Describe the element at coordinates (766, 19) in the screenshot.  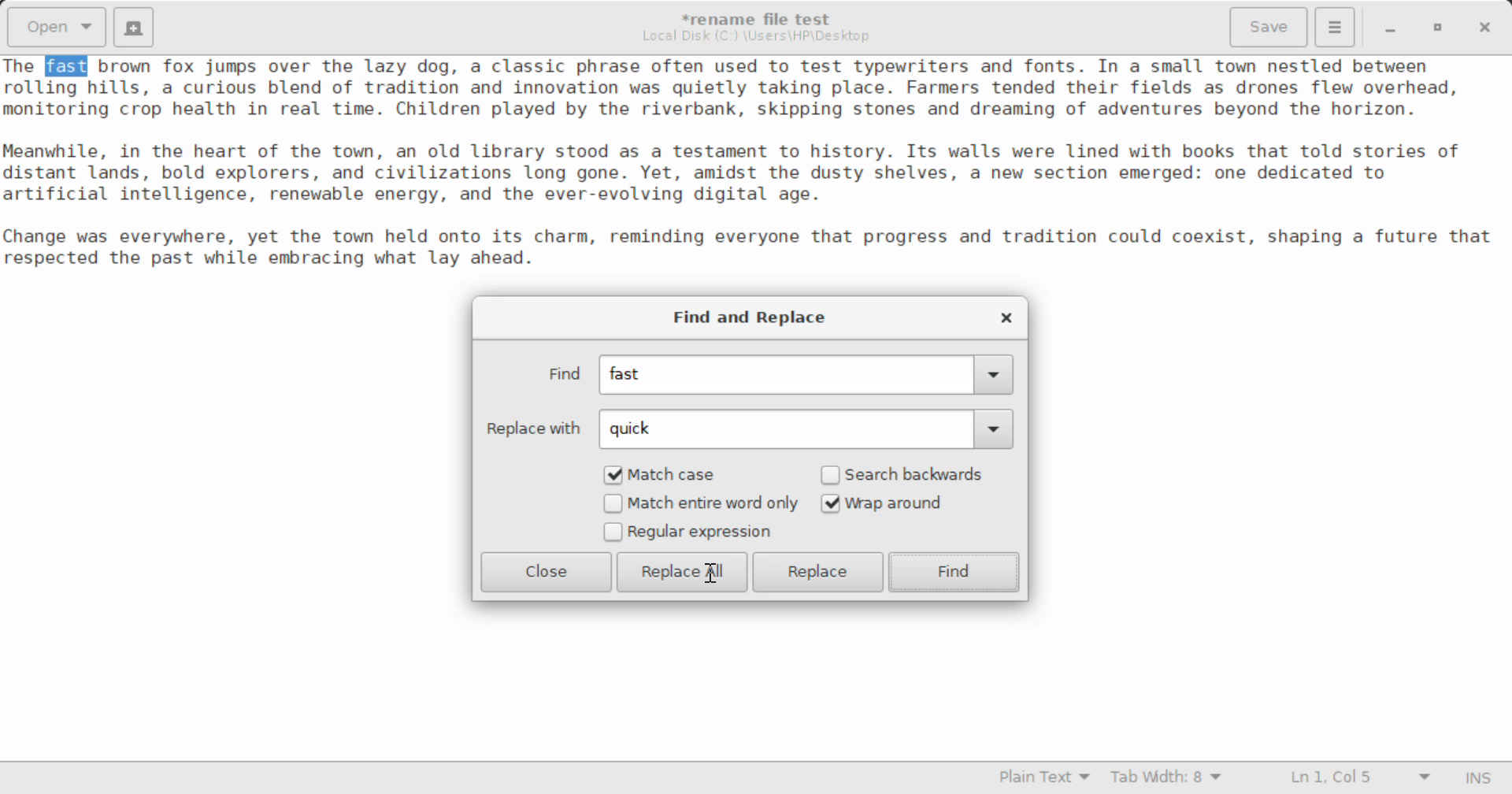
I see `*rename file test` at that location.